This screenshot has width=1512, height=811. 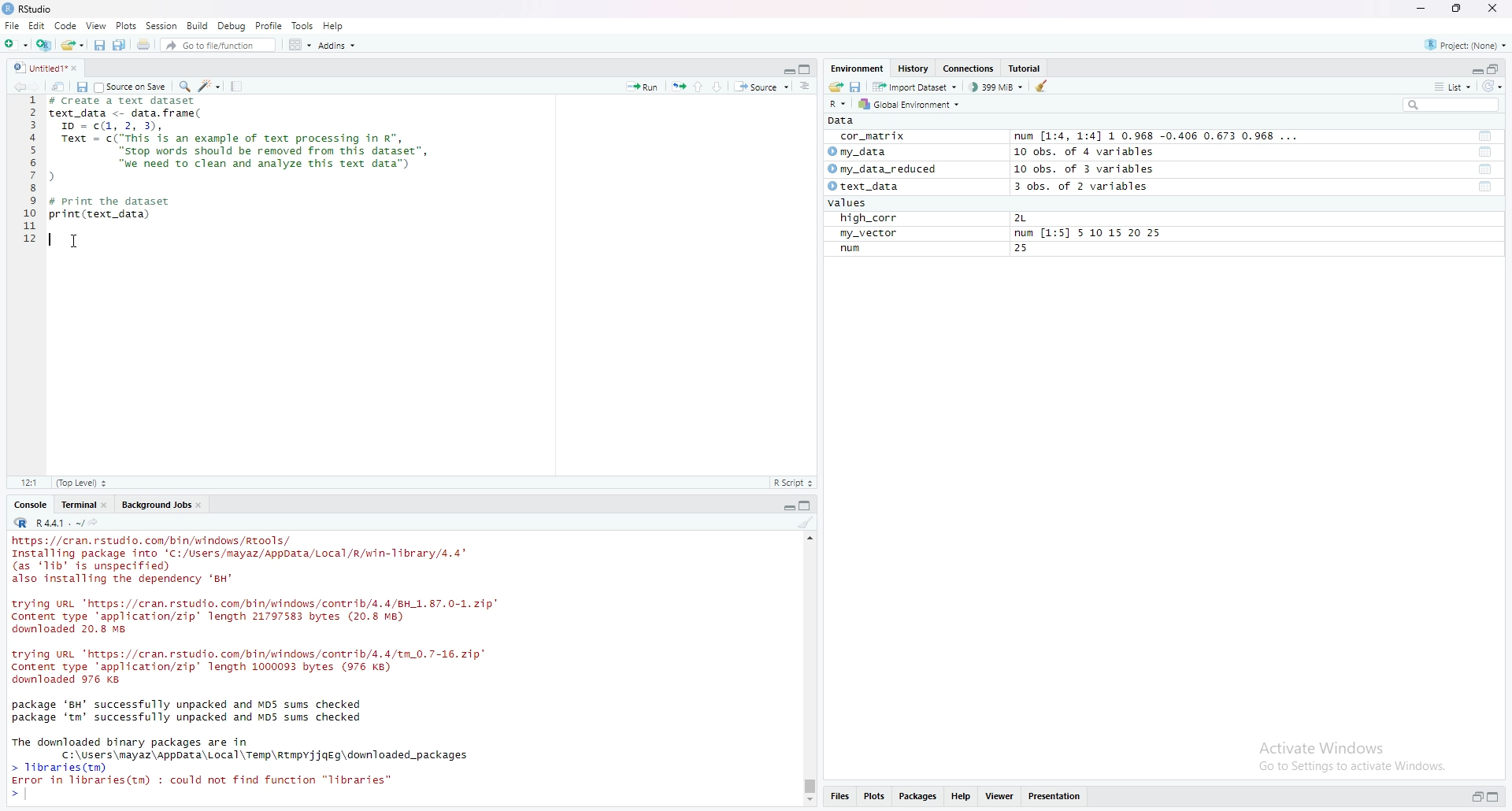 What do you see at coordinates (919, 796) in the screenshot?
I see `packages` at bounding box center [919, 796].